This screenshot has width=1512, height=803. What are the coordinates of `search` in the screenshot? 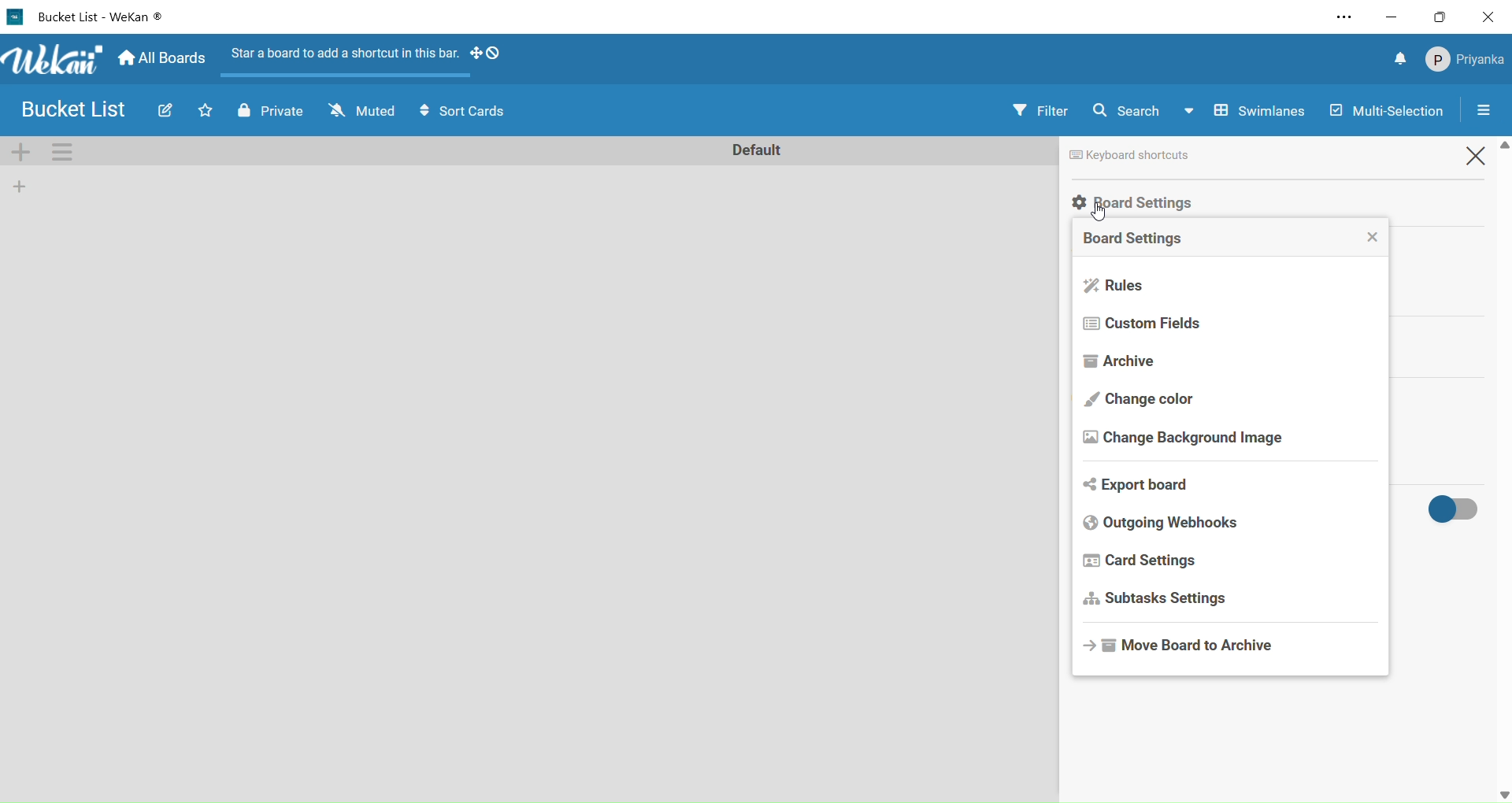 It's located at (1131, 113).